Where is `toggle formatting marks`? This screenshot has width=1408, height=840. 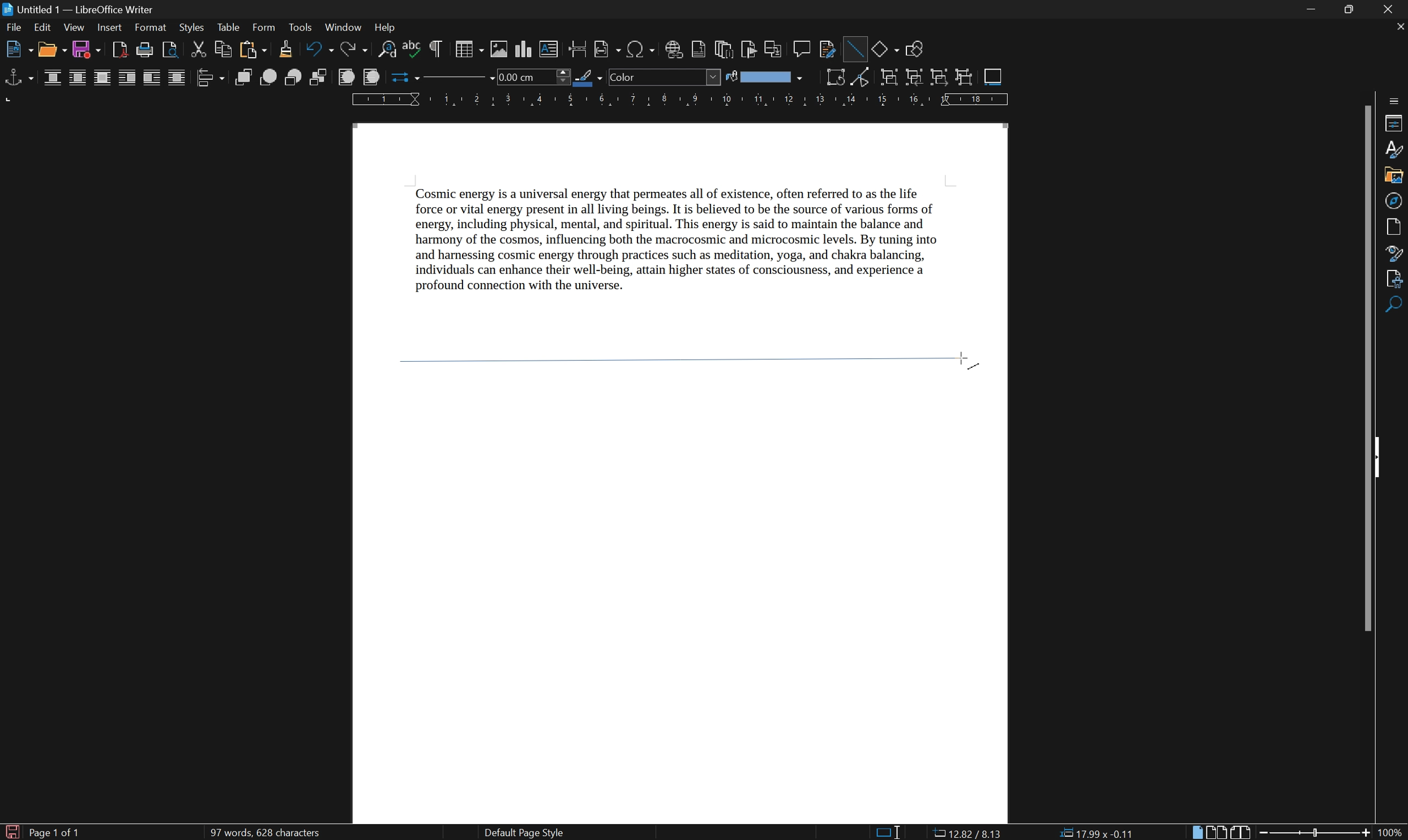 toggle formatting marks is located at coordinates (436, 49).